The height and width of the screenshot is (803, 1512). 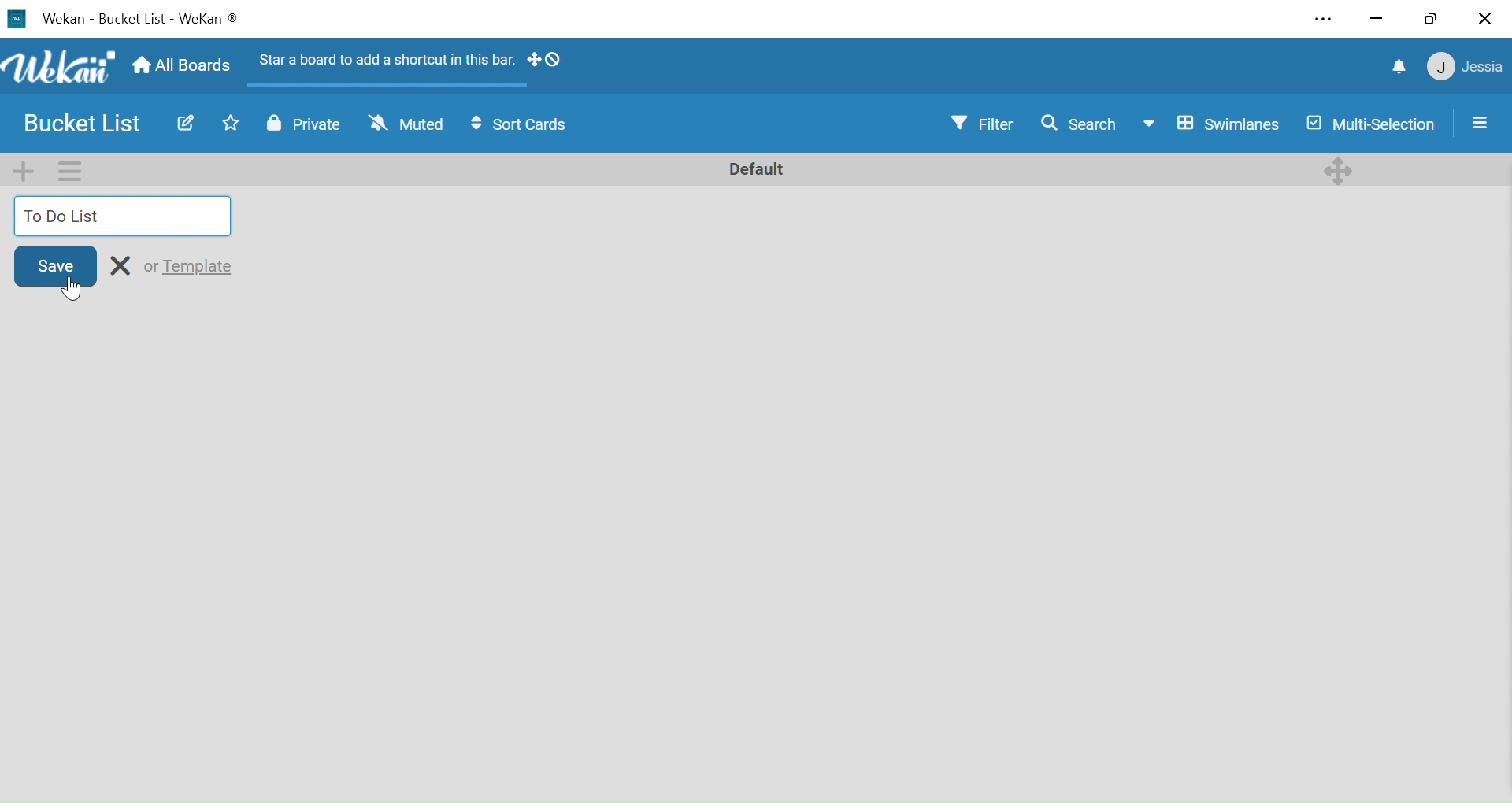 I want to click on Add Swimlanes, so click(x=27, y=170).